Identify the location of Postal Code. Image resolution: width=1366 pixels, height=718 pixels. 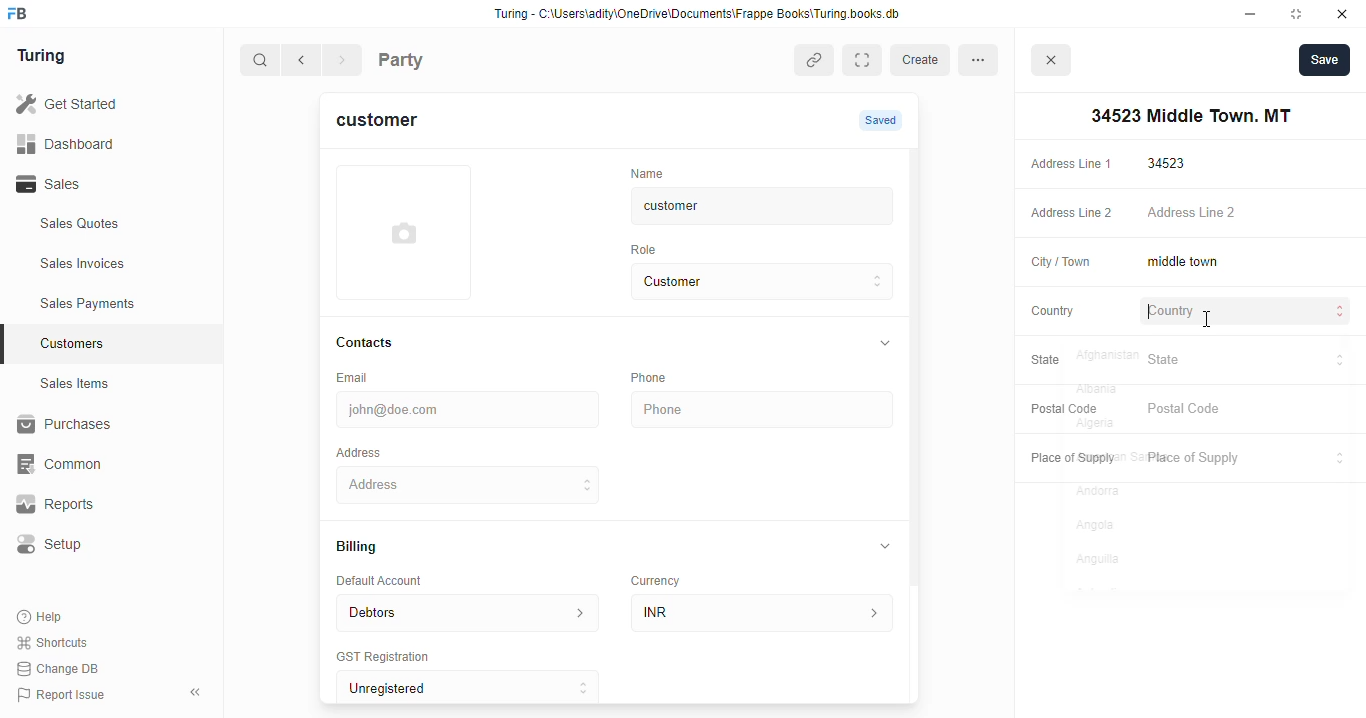
(1247, 410).